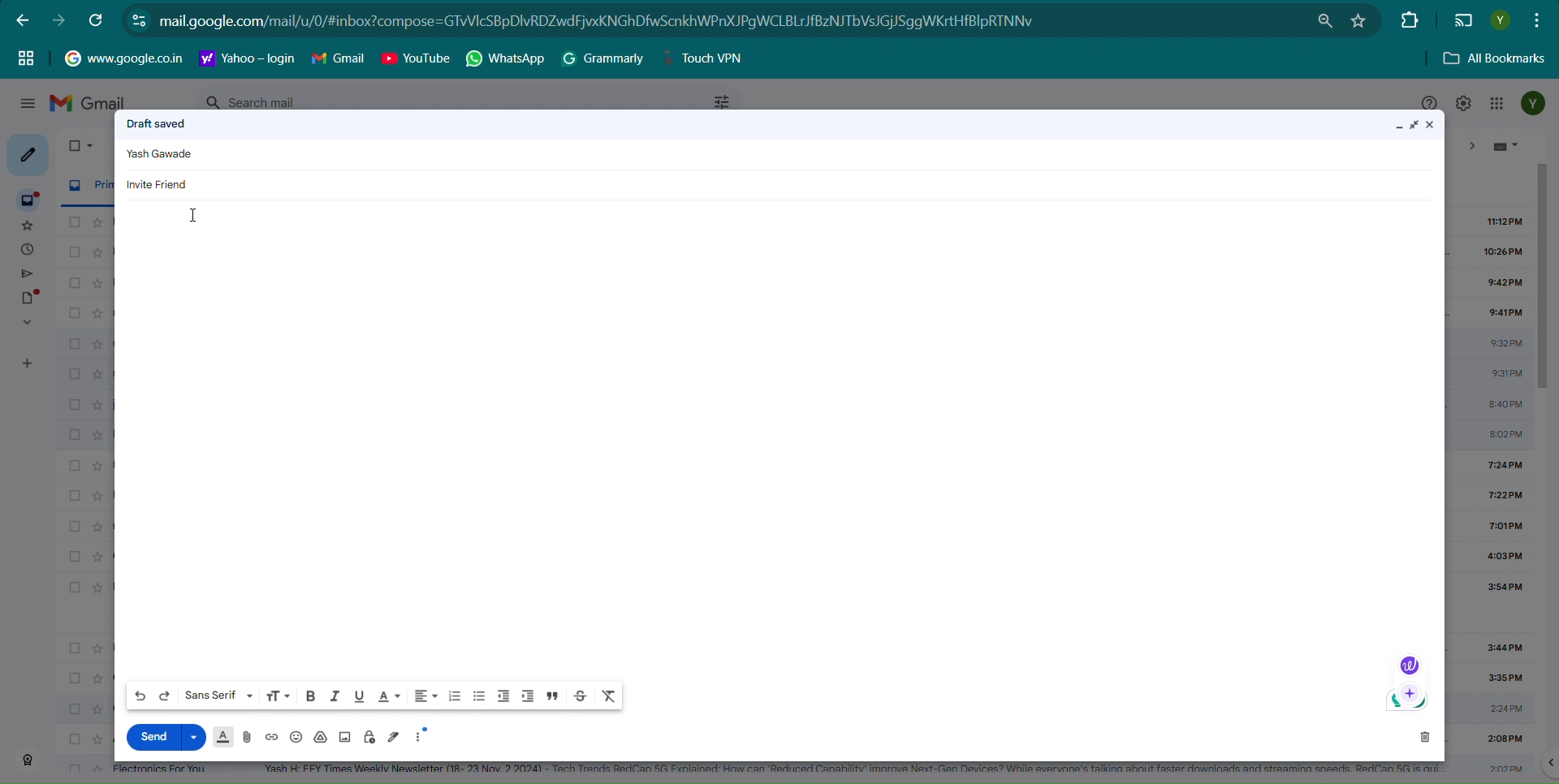  What do you see at coordinates (581, 696) in the screenshot?
I see `Strikethrough` at bounding box center [581, 696].